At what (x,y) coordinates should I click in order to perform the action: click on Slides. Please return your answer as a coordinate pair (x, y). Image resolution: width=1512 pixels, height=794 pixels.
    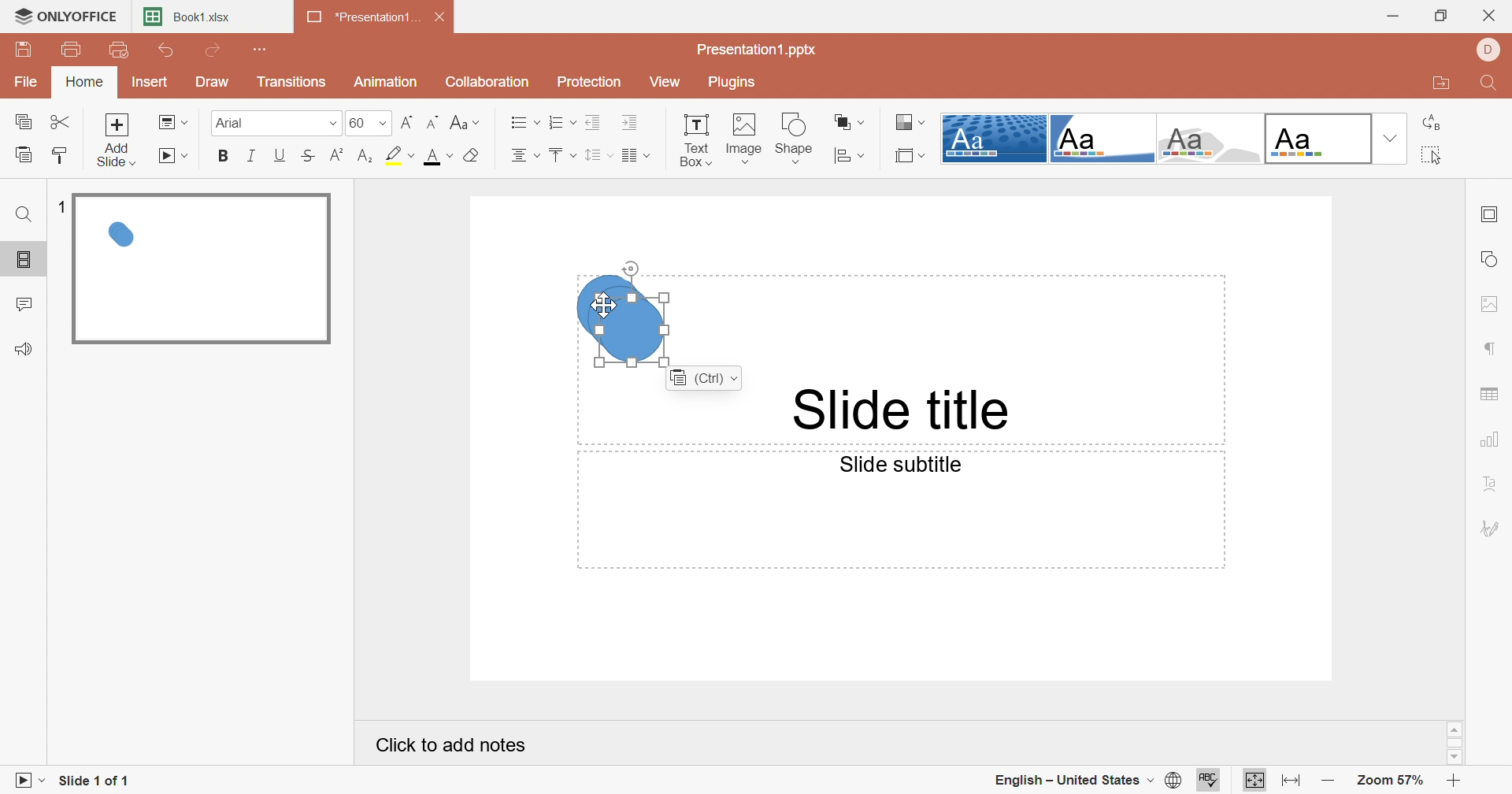
    Looking at the image, I should click on (22, 260).